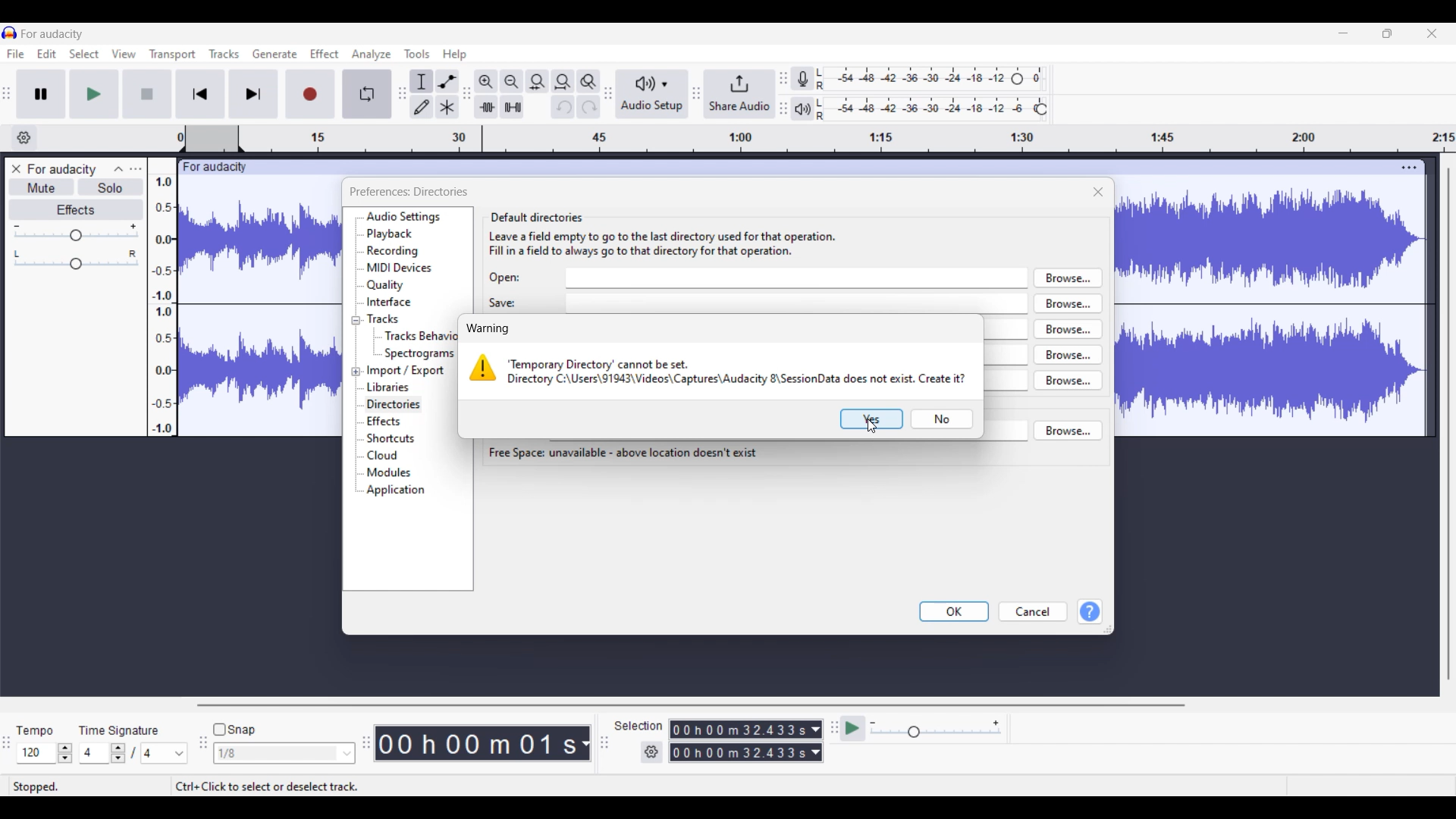 This screenshot has width=1456, height=819. I want to click on File menu, so click(16, 54).